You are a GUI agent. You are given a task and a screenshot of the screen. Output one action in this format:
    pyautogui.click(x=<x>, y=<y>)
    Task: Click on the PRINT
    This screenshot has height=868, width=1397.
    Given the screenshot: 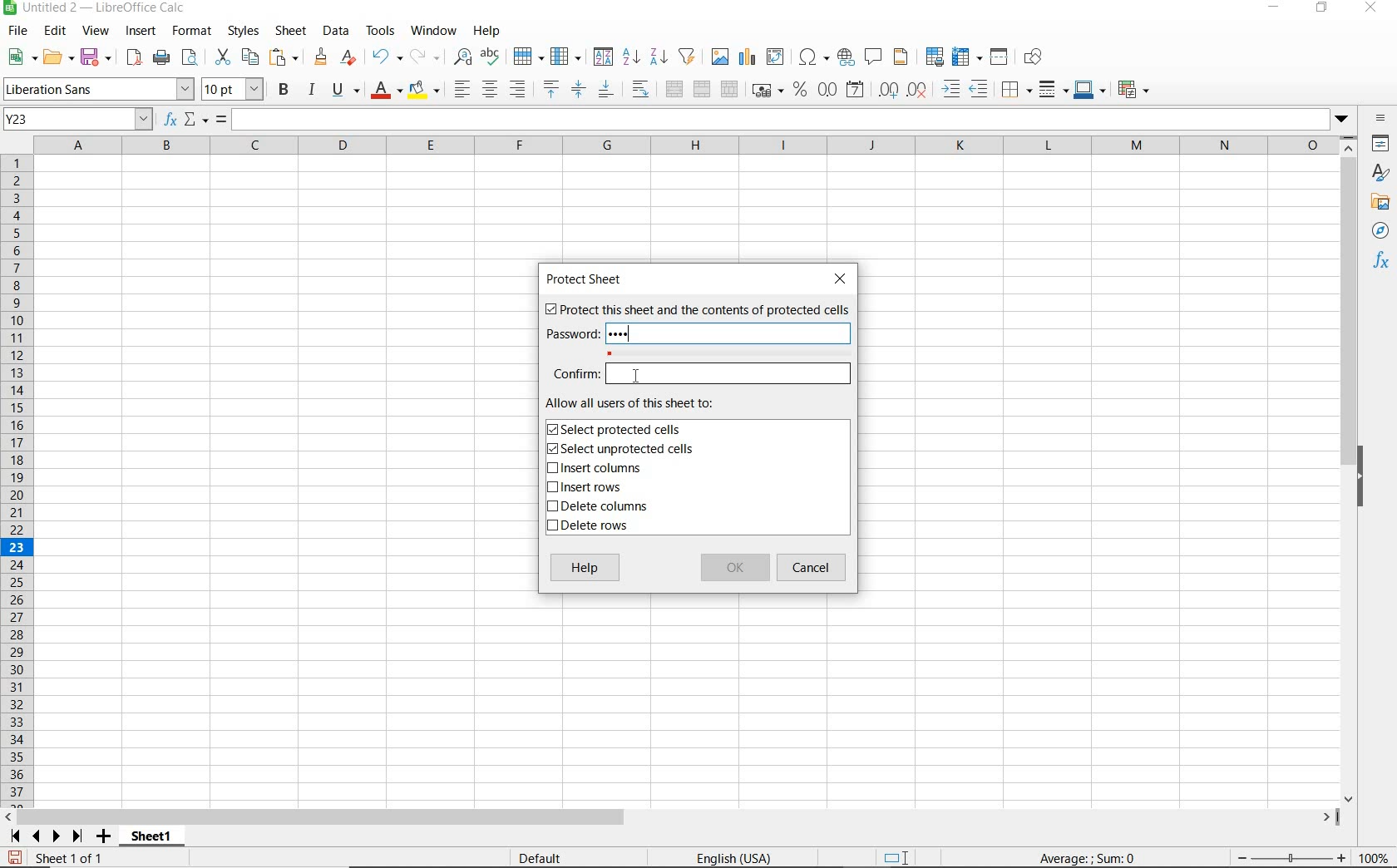 What is the action you would take?
    pyautogui.click(x=161, y=58)
    